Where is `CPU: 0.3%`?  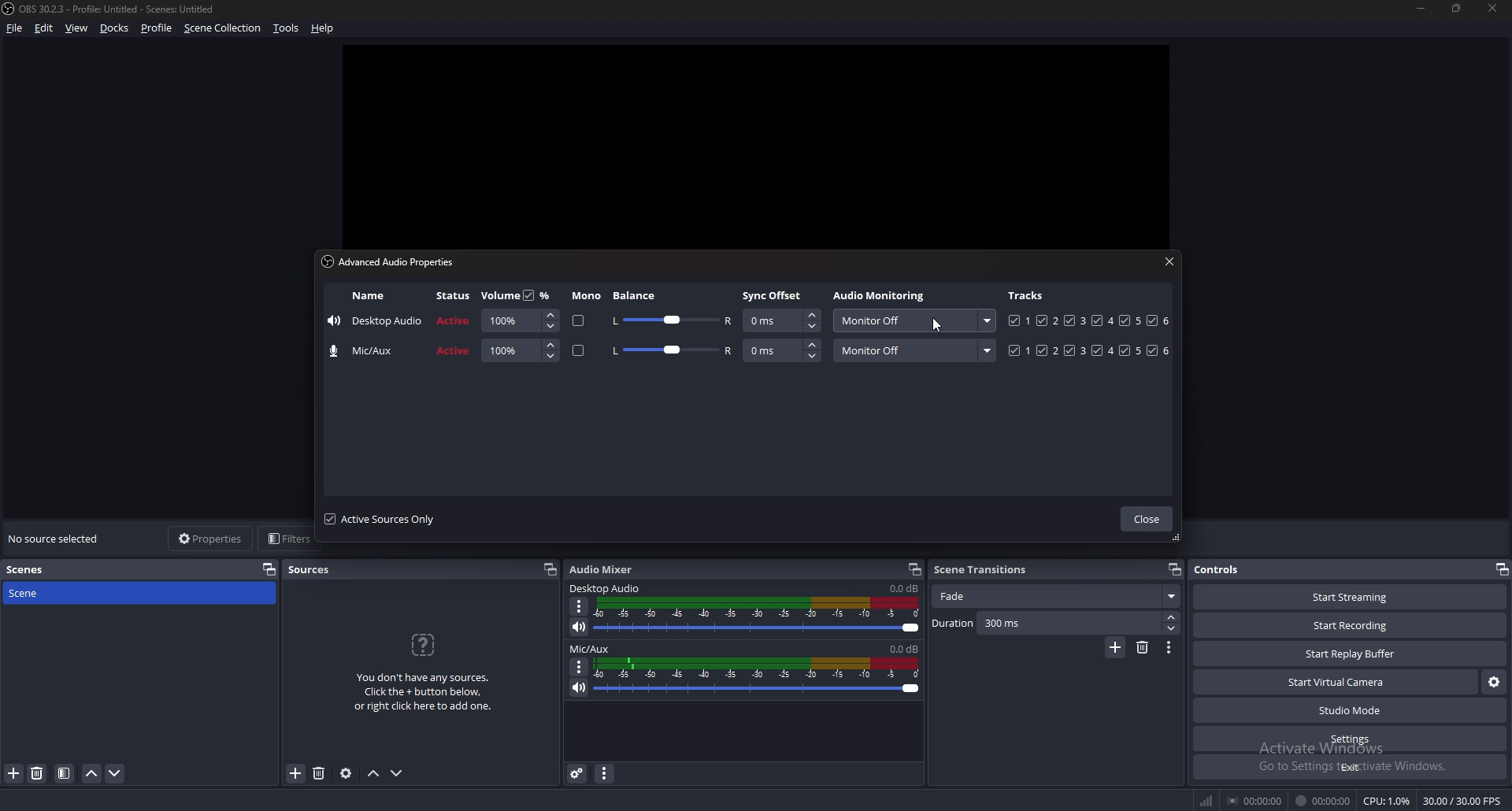 CPU: 0.3% is located at coordinates (1388, 802).